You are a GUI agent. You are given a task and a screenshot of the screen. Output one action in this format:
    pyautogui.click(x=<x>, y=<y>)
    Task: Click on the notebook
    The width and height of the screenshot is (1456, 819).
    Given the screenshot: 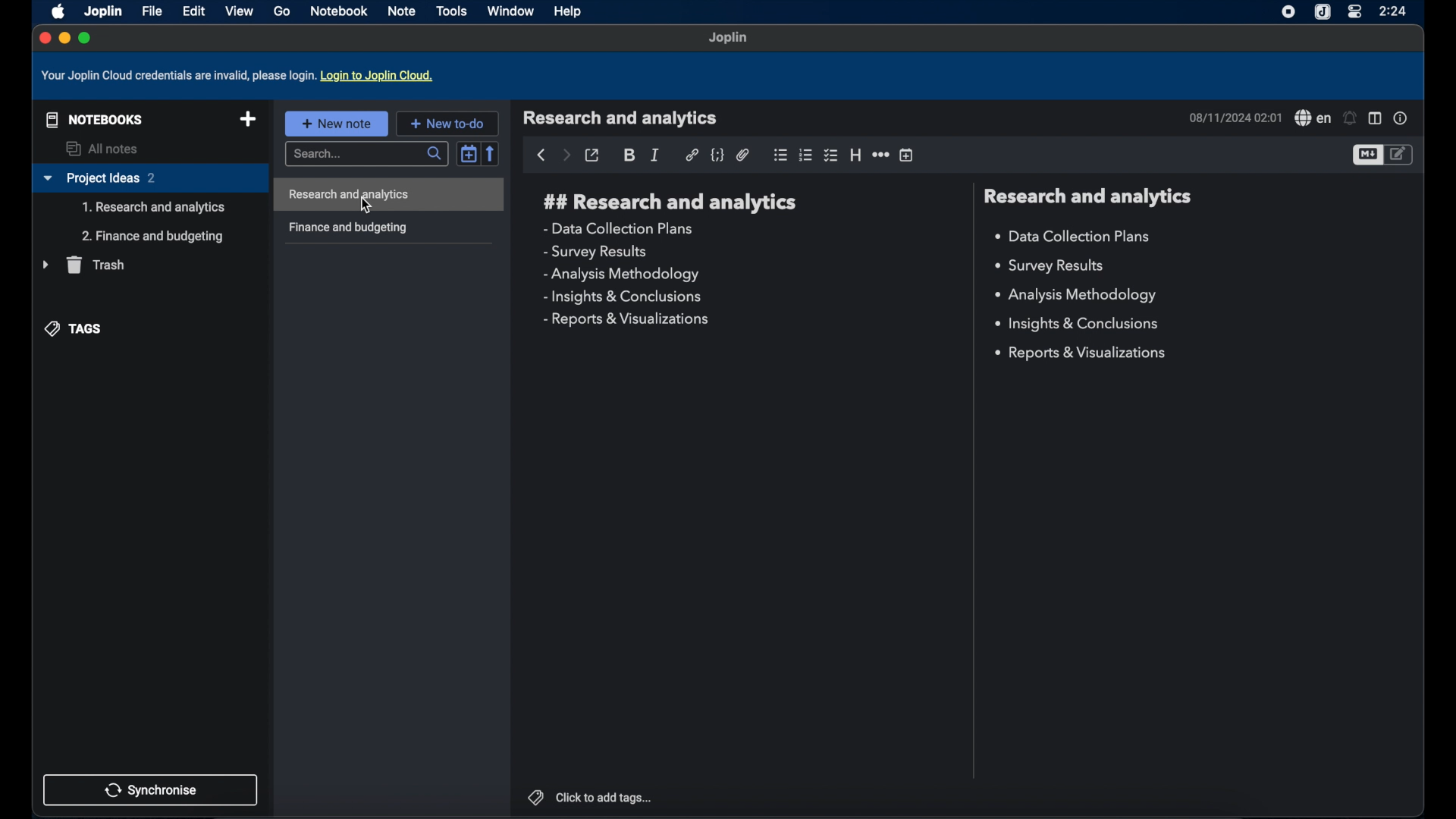 What is the action you would take?
    pyautogui.click(x=340, y=11)
    